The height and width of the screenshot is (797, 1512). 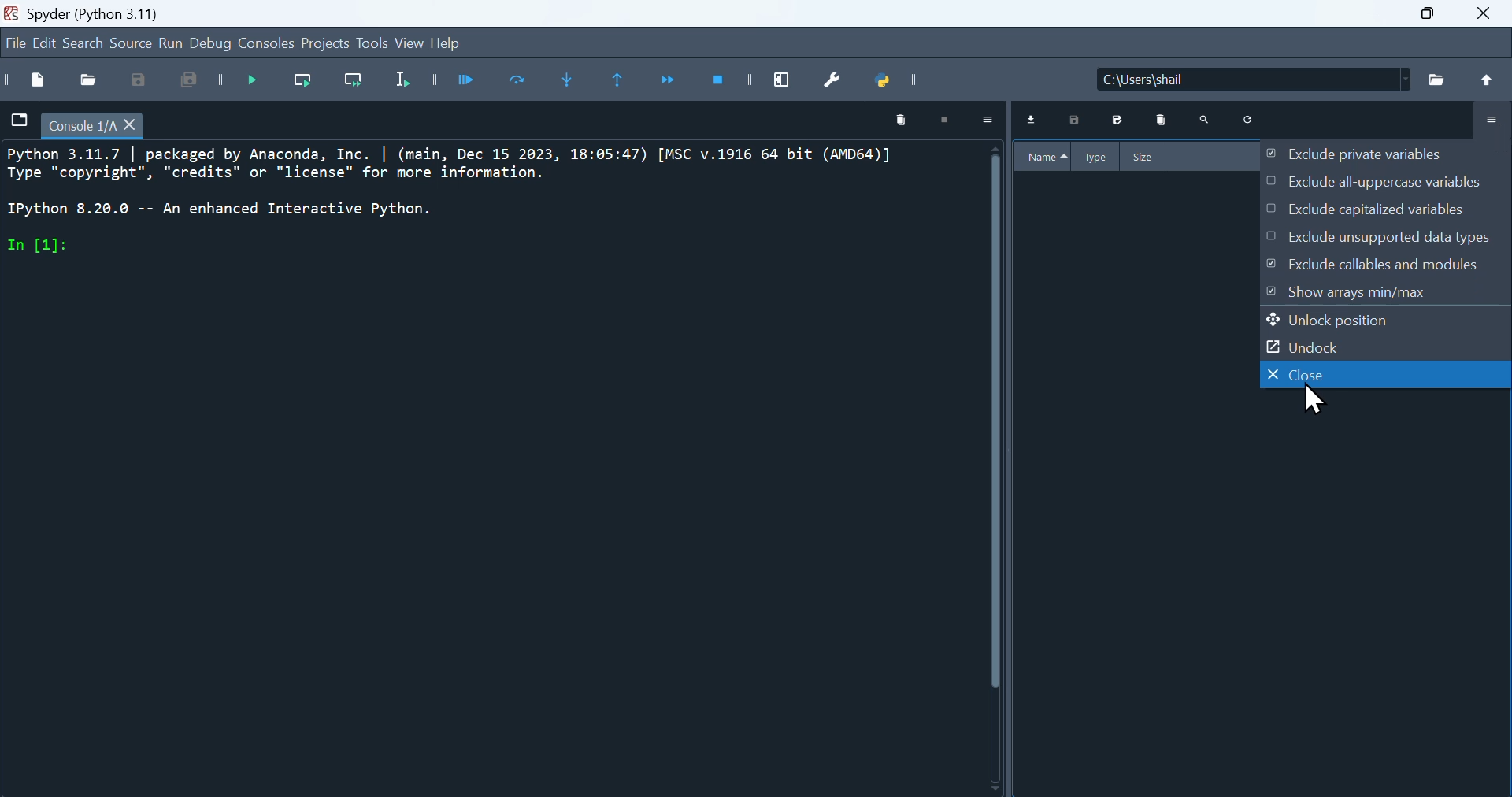 What do you see at coordinates (415, 83) in the screenshot?
I see `Run selection` at bounding box center [415, 83].